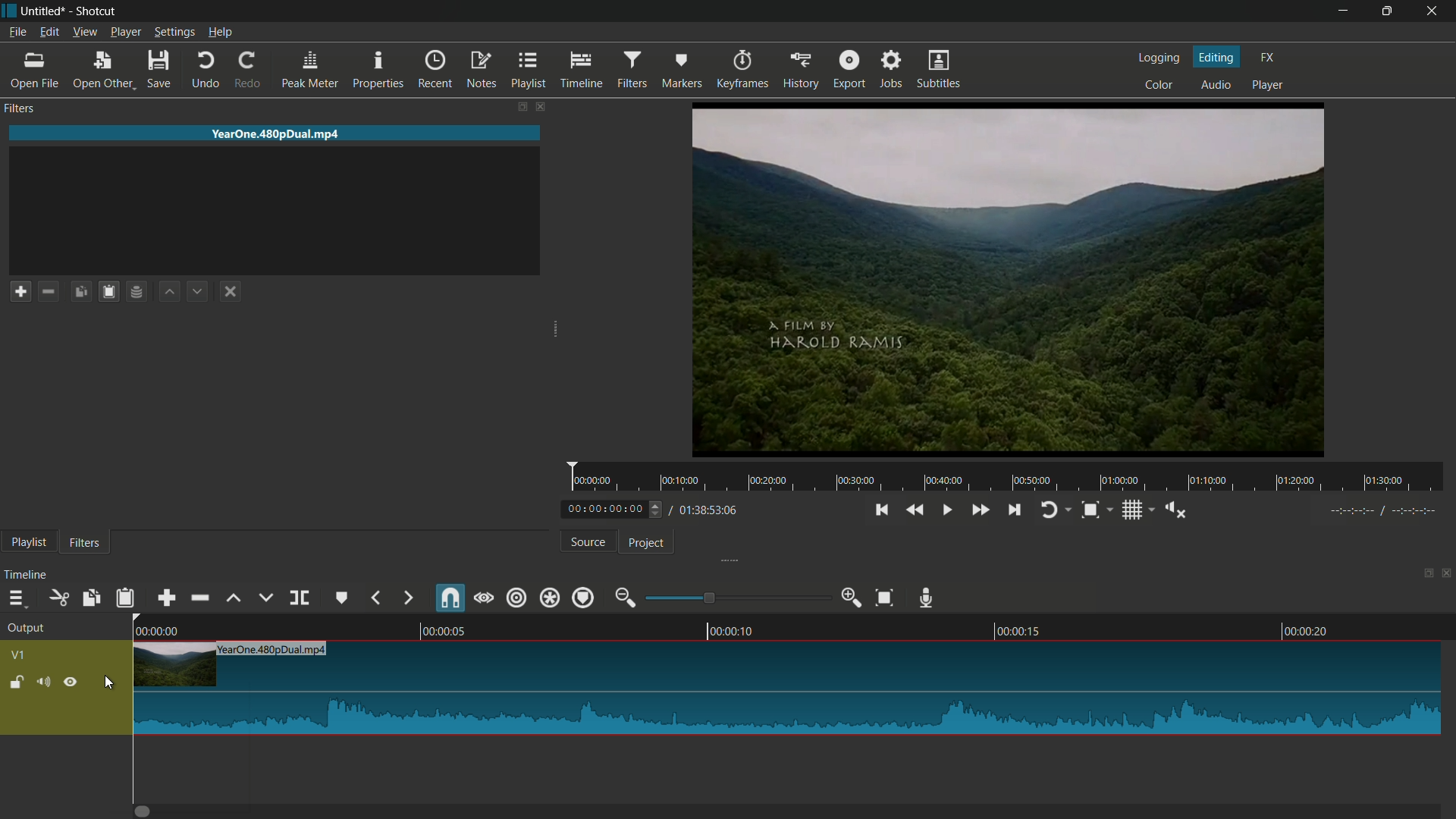  I want to click on playlist, so click(531, 71).